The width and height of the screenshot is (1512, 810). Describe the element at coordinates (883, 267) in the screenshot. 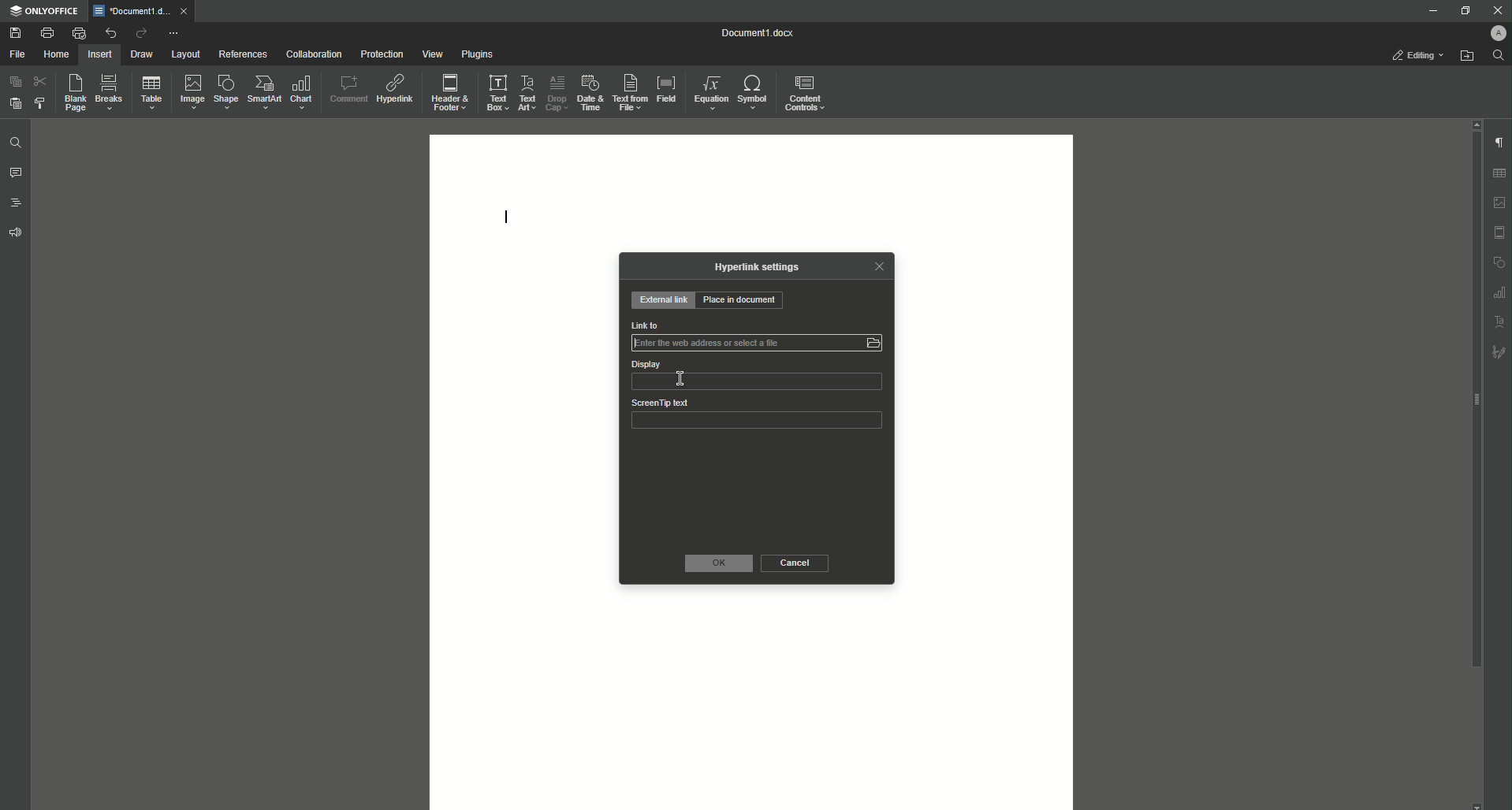

I see `Close` at that location.